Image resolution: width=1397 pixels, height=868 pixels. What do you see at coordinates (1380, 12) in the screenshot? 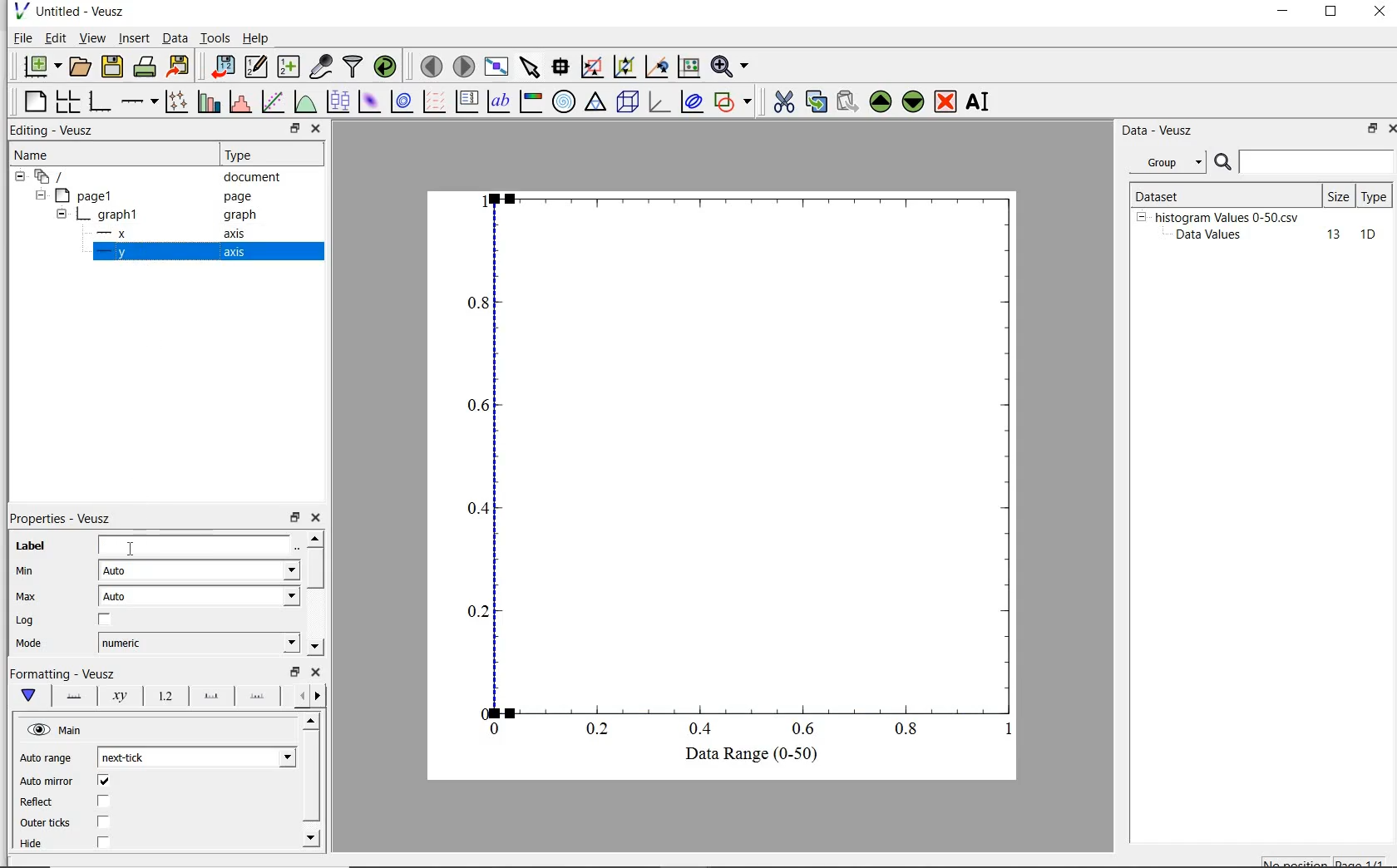
I see `close` at bounding box center [1380, 12].